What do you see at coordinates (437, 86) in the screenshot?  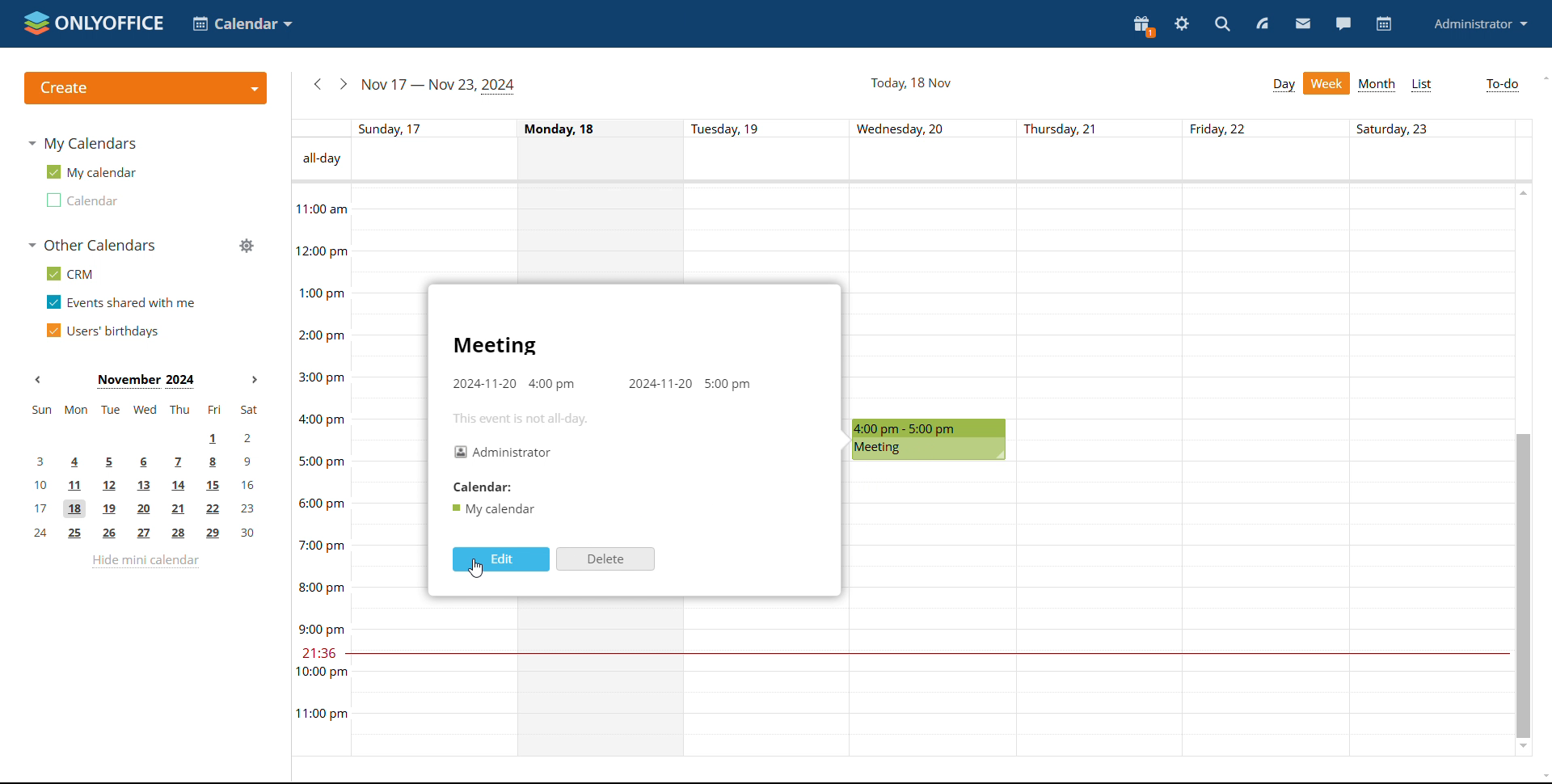 I see `current week` at bounding box center [437, 86].